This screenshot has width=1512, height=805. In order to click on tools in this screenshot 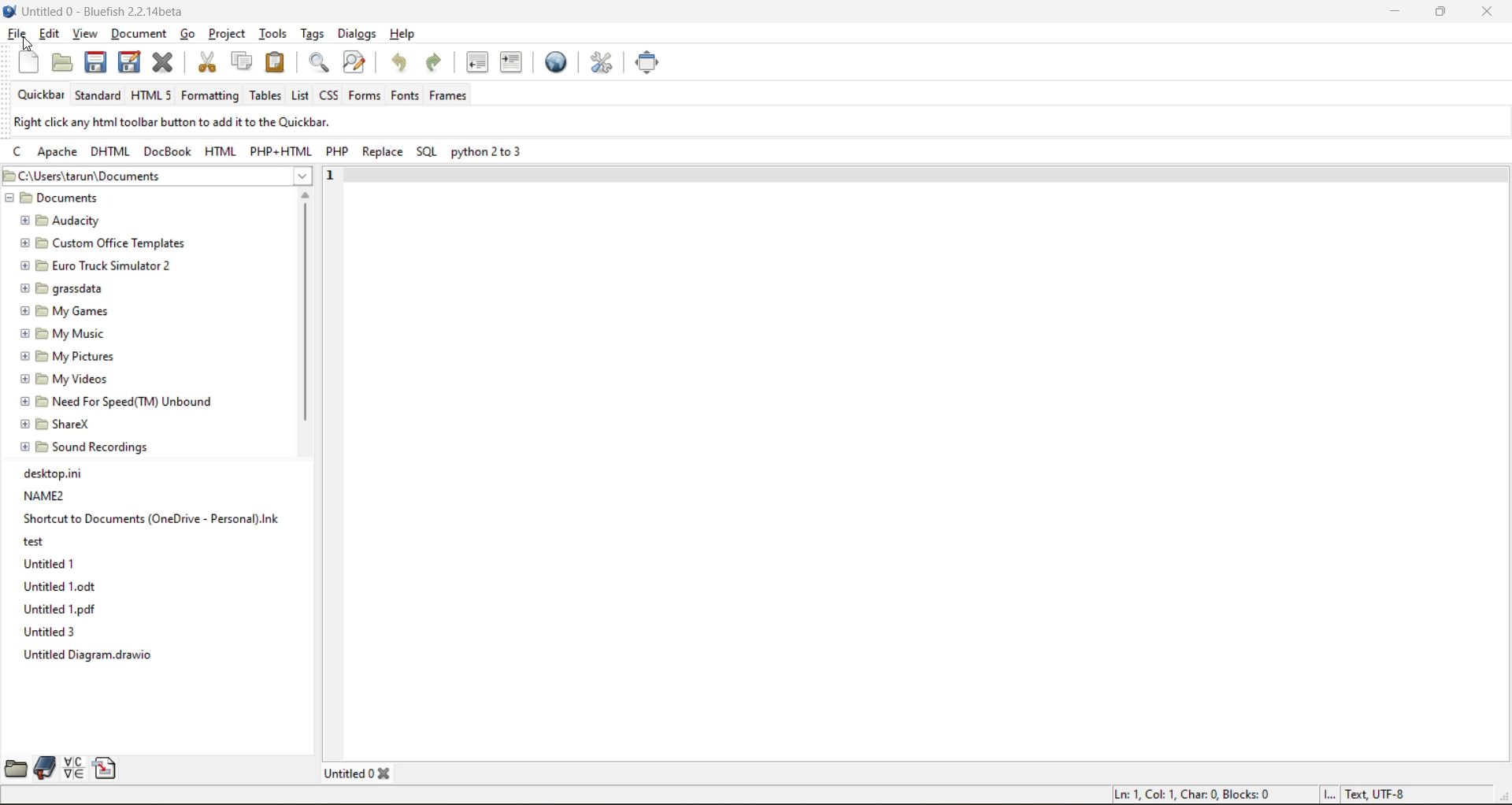, I will do `click(275, 34)`.